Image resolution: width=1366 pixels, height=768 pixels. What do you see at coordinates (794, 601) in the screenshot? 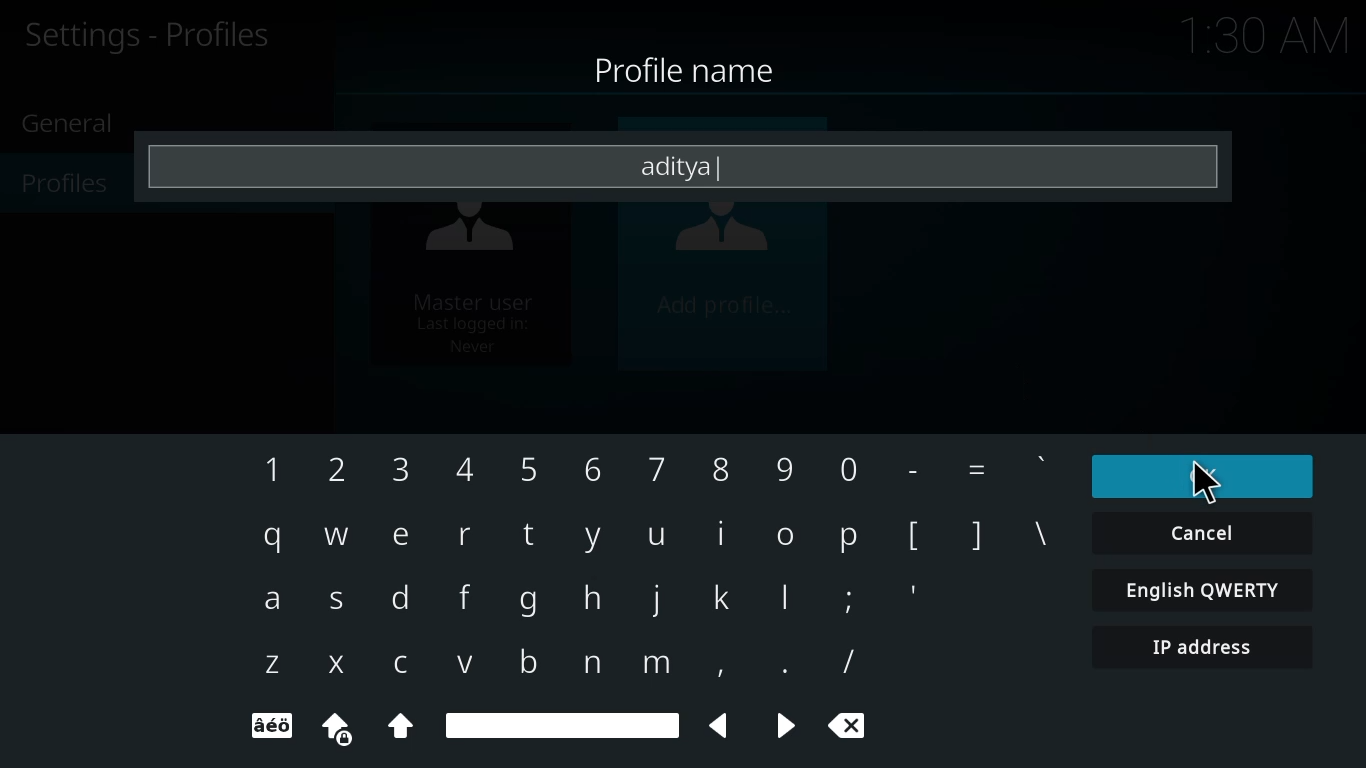
I see `l` at bounding box center [794, 601].